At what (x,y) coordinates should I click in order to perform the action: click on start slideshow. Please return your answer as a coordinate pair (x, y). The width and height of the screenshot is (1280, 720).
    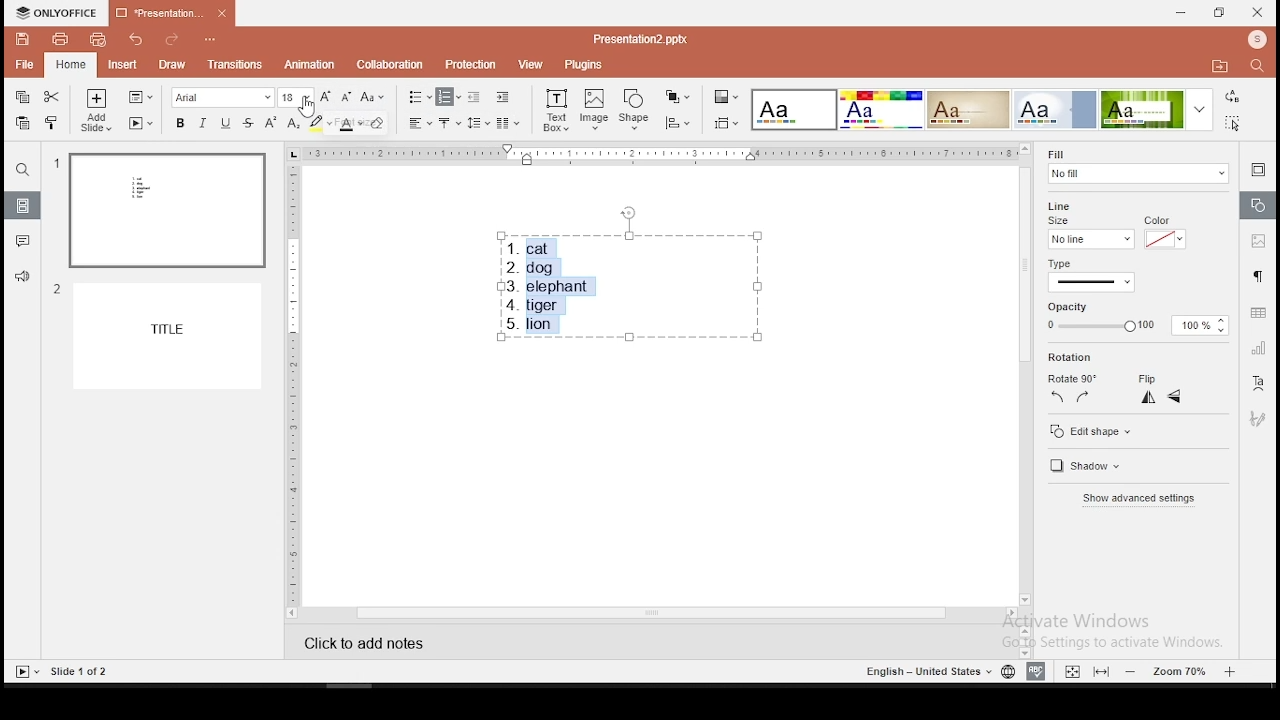
    Looking at the image, I should click on (141, 122).